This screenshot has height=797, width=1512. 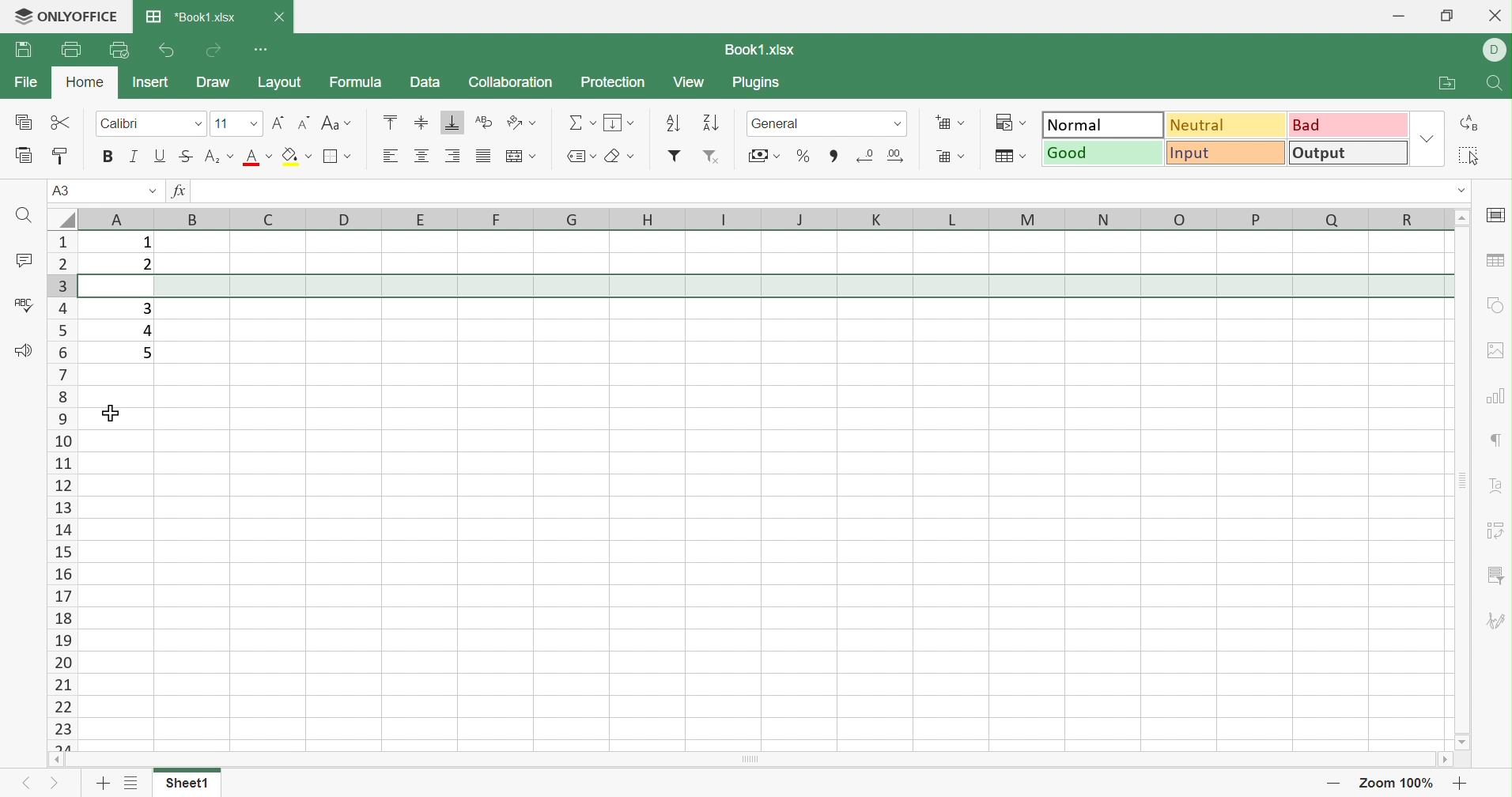 What do you see at coordinates (1446, 83) in the screenshot?
I see `Open file location` at bounding box center [1446, 83].